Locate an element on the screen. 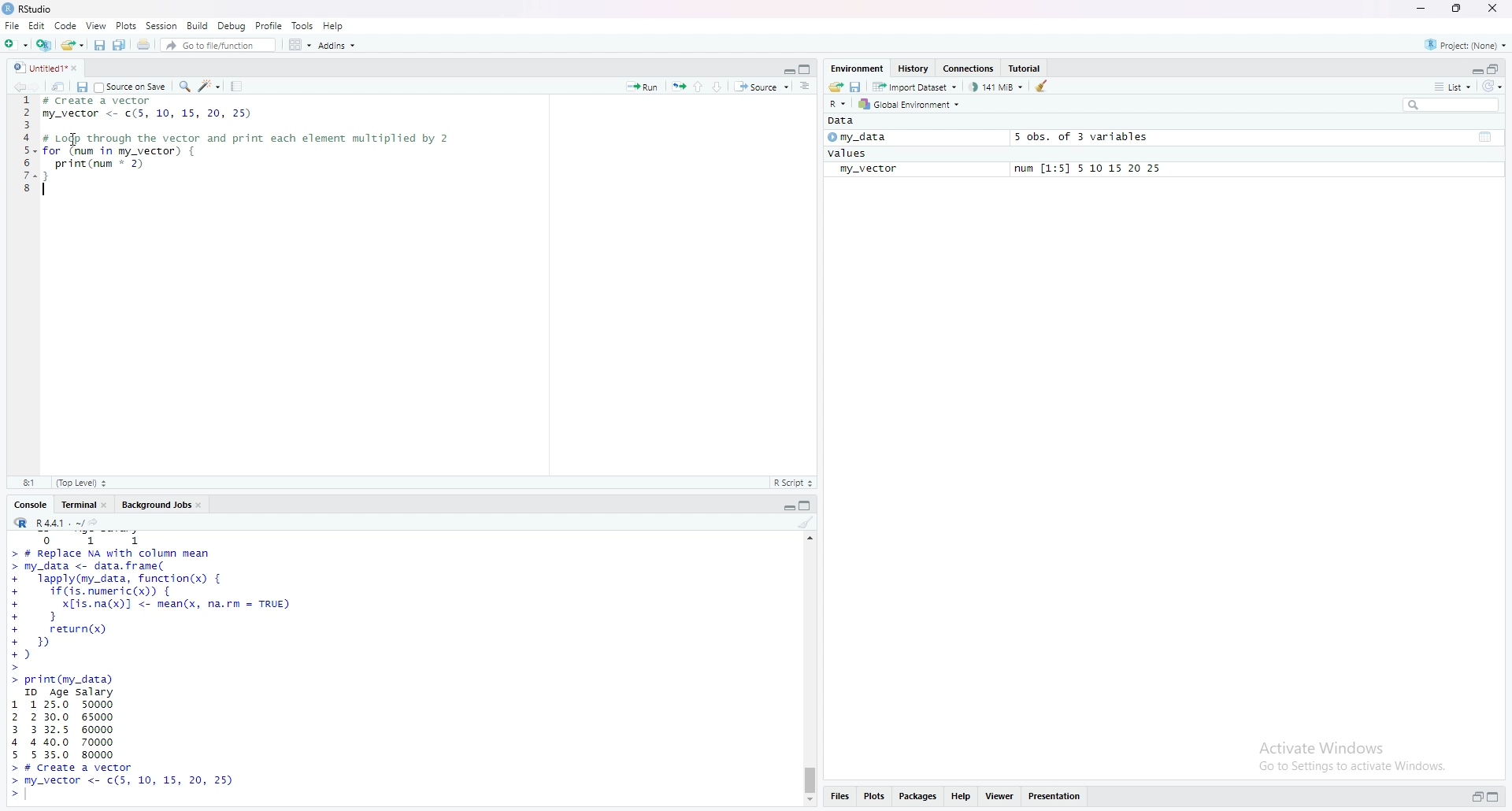 This screenshot has width=1512, height=811. presentation is located at coordinates (1057, 795).